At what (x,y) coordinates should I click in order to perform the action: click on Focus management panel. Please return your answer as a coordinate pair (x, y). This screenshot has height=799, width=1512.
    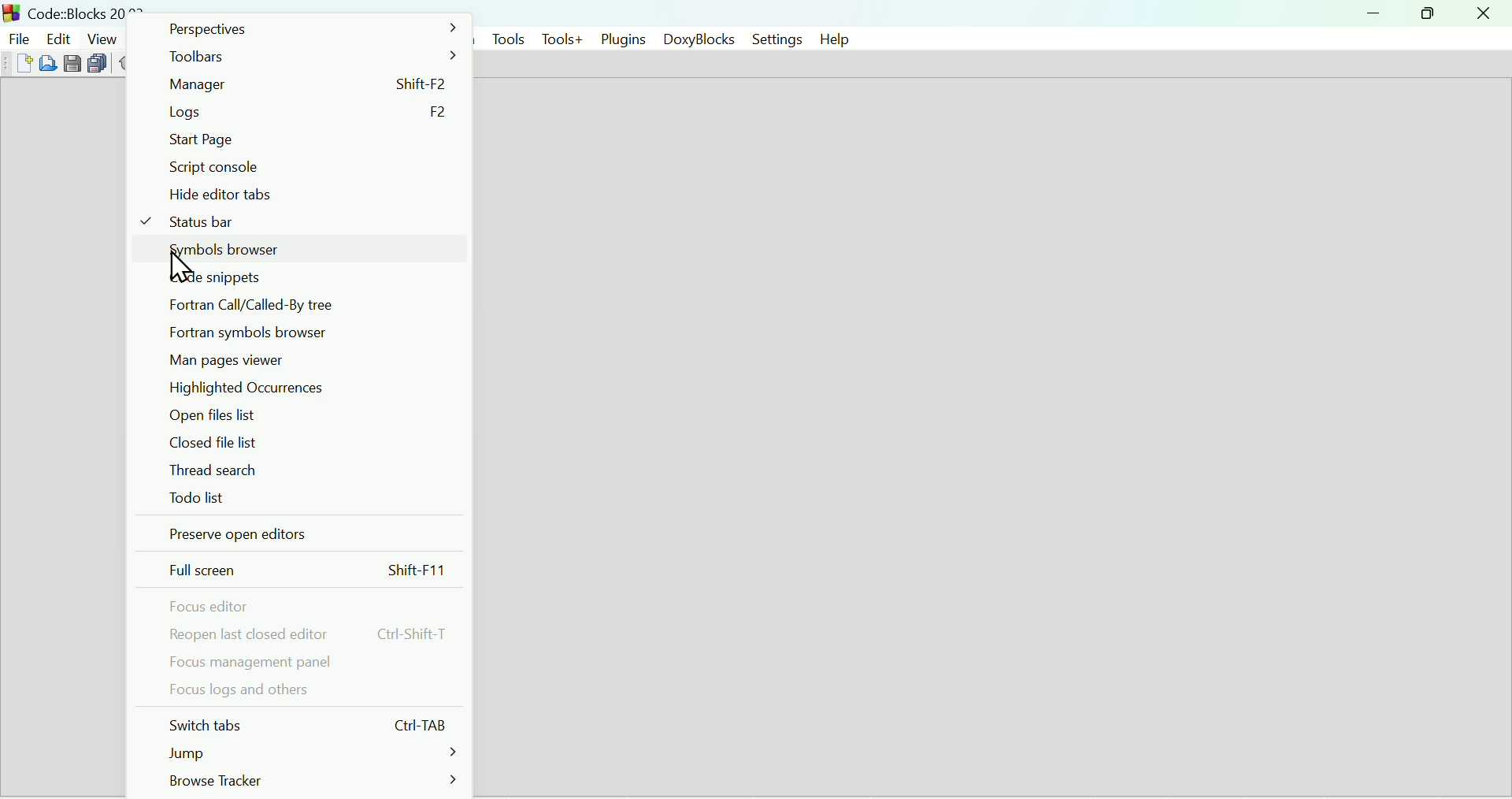
    Looking at the image, I should click on (306, 661).